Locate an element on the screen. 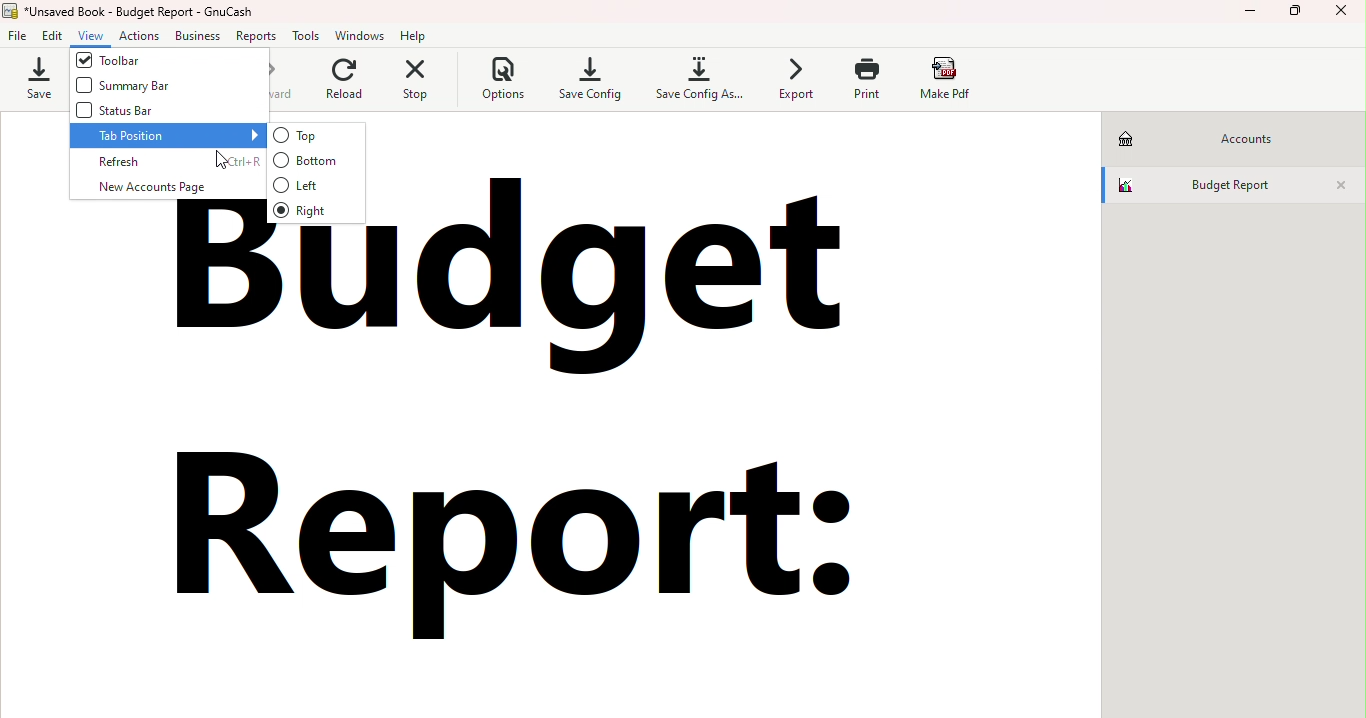  Right is located at coordinates (316, 209).